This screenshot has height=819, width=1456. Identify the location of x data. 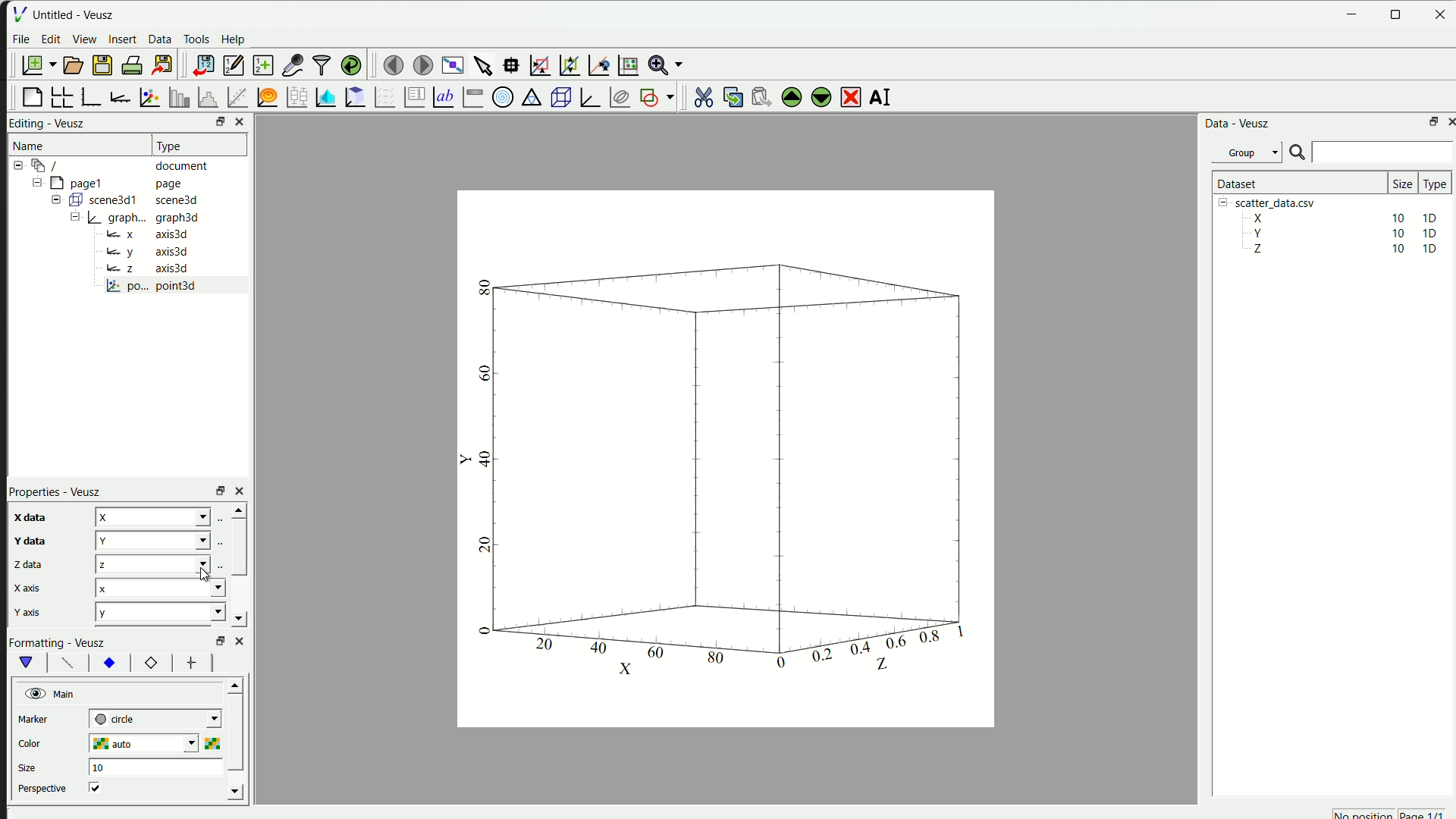
(29, 517).